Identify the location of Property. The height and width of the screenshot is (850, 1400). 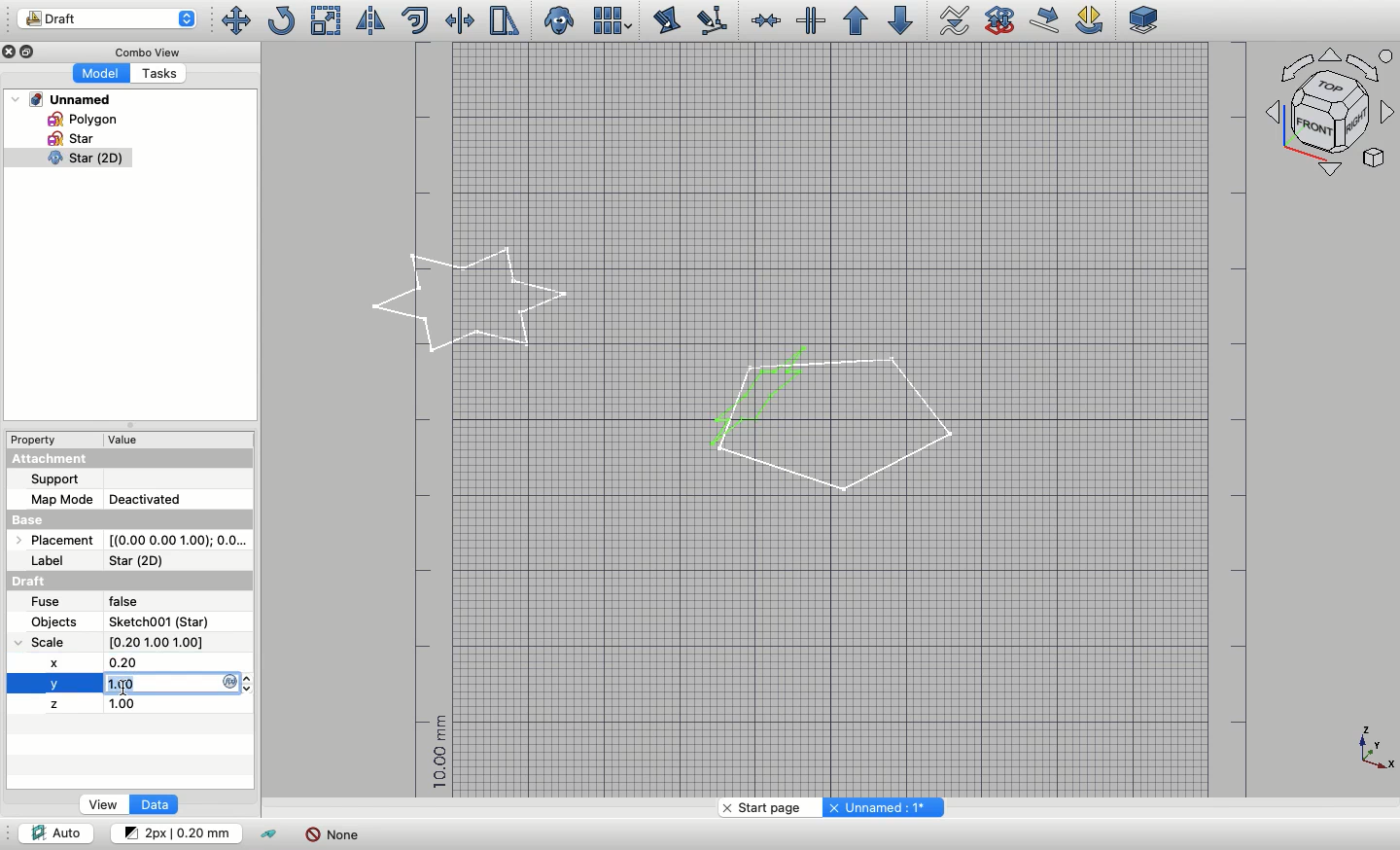
(34, 440).